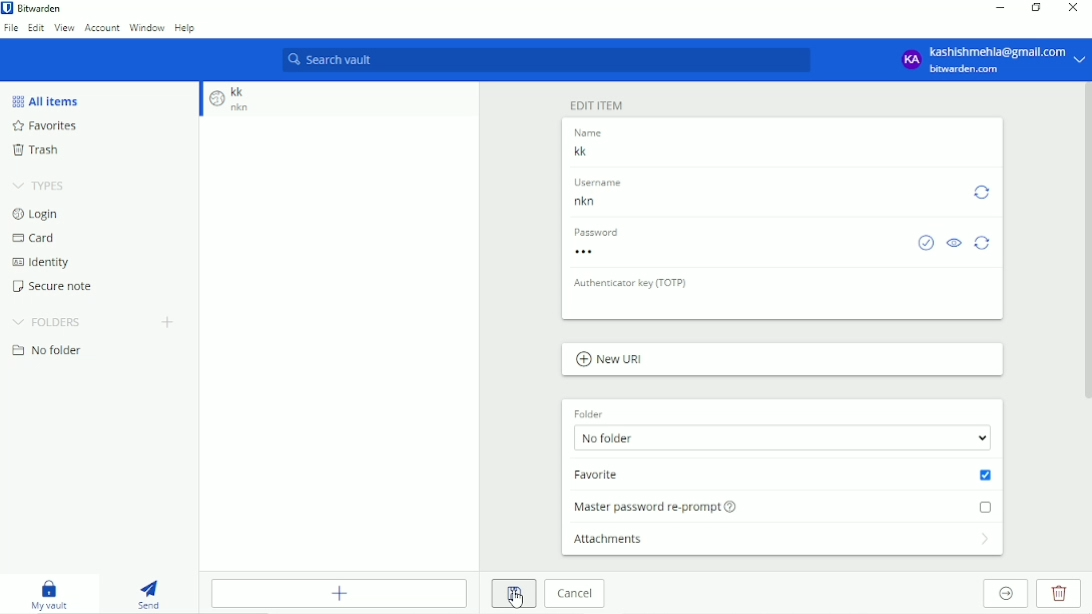 The height and width of the screenshot is (614, 1092). What do you see at coordinates (992, 59) in the screenshot?
I see `Account` at bounding box center [992, 59].